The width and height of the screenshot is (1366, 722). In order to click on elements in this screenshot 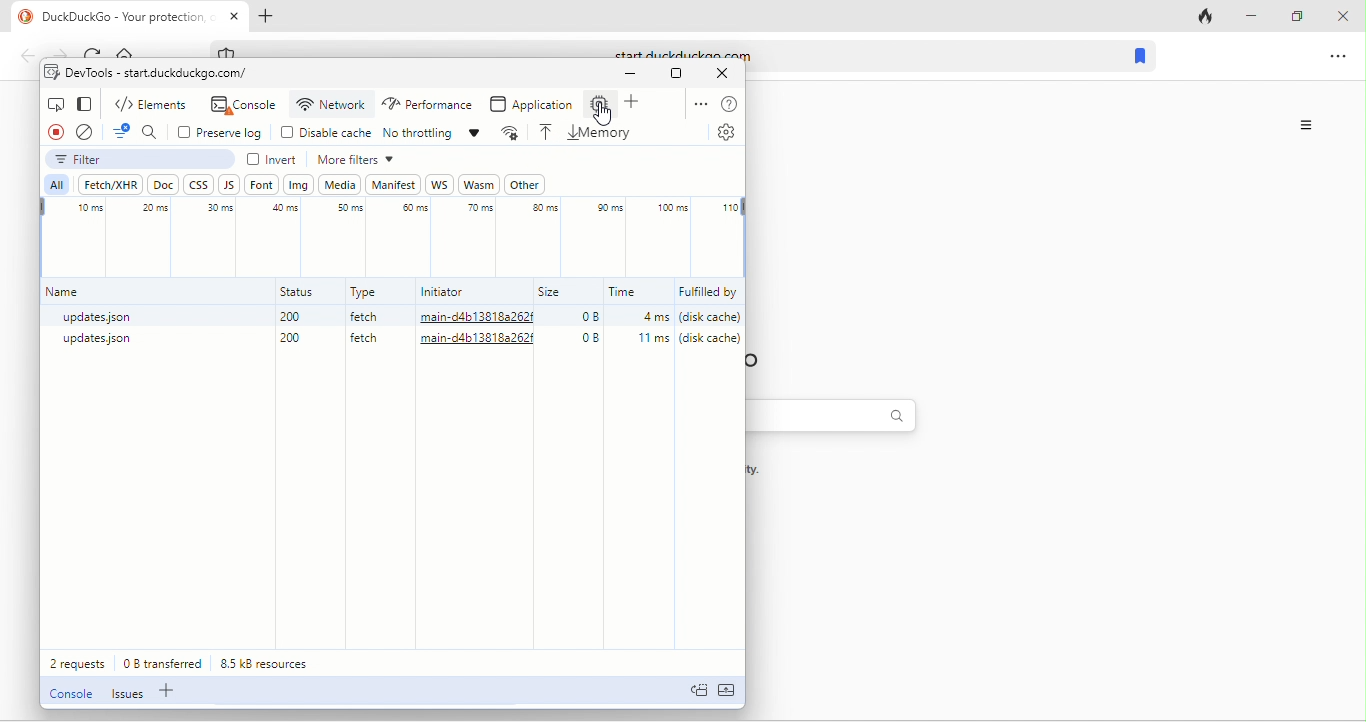, I will do `click(151, 105)`.